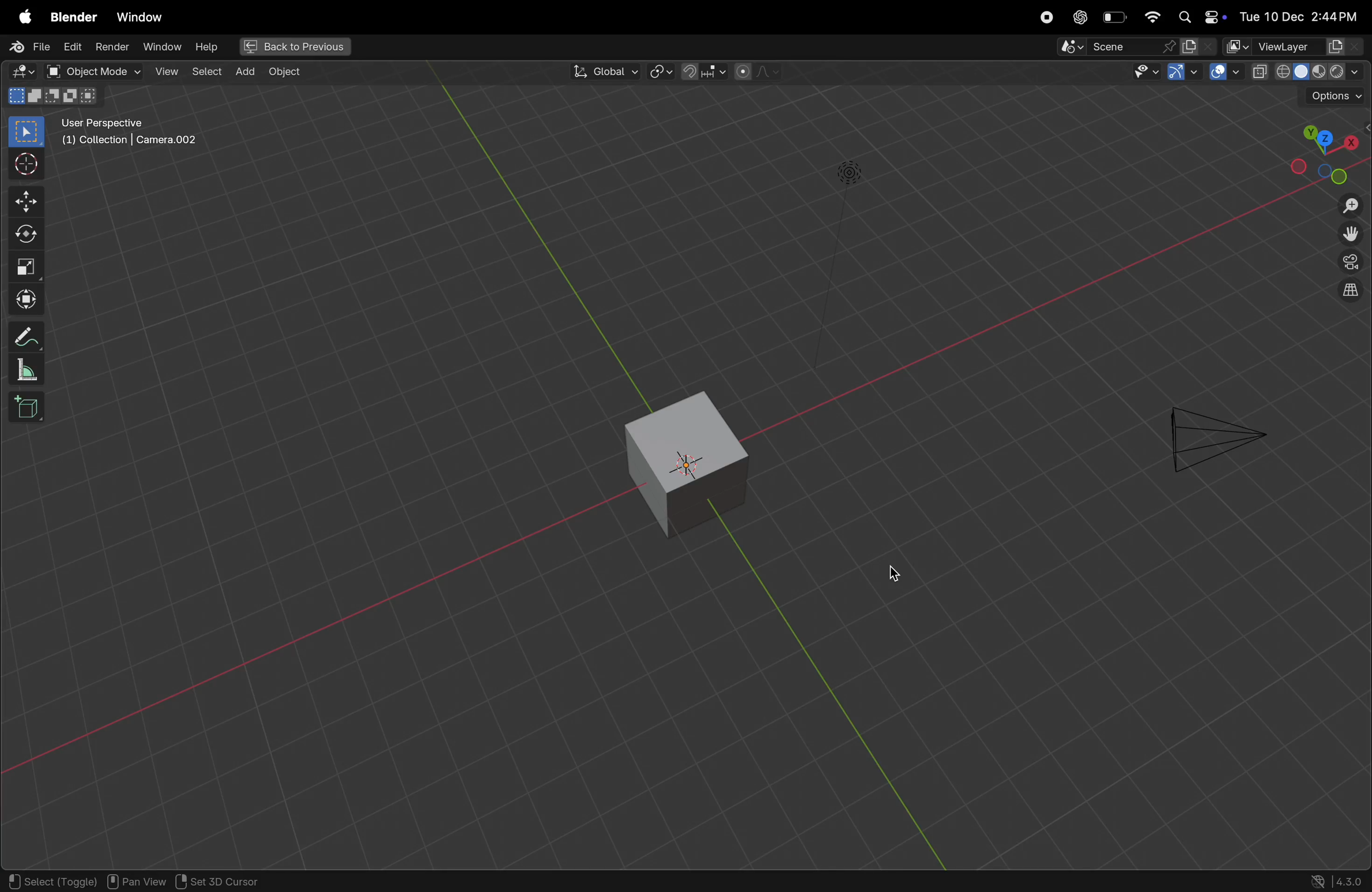 Image resolution: width=1372 pixels, height=892 pixels. What do you see at coordinates (29, 410) in the screenshot?
I see `3d box` at bounding box center [29, 410].